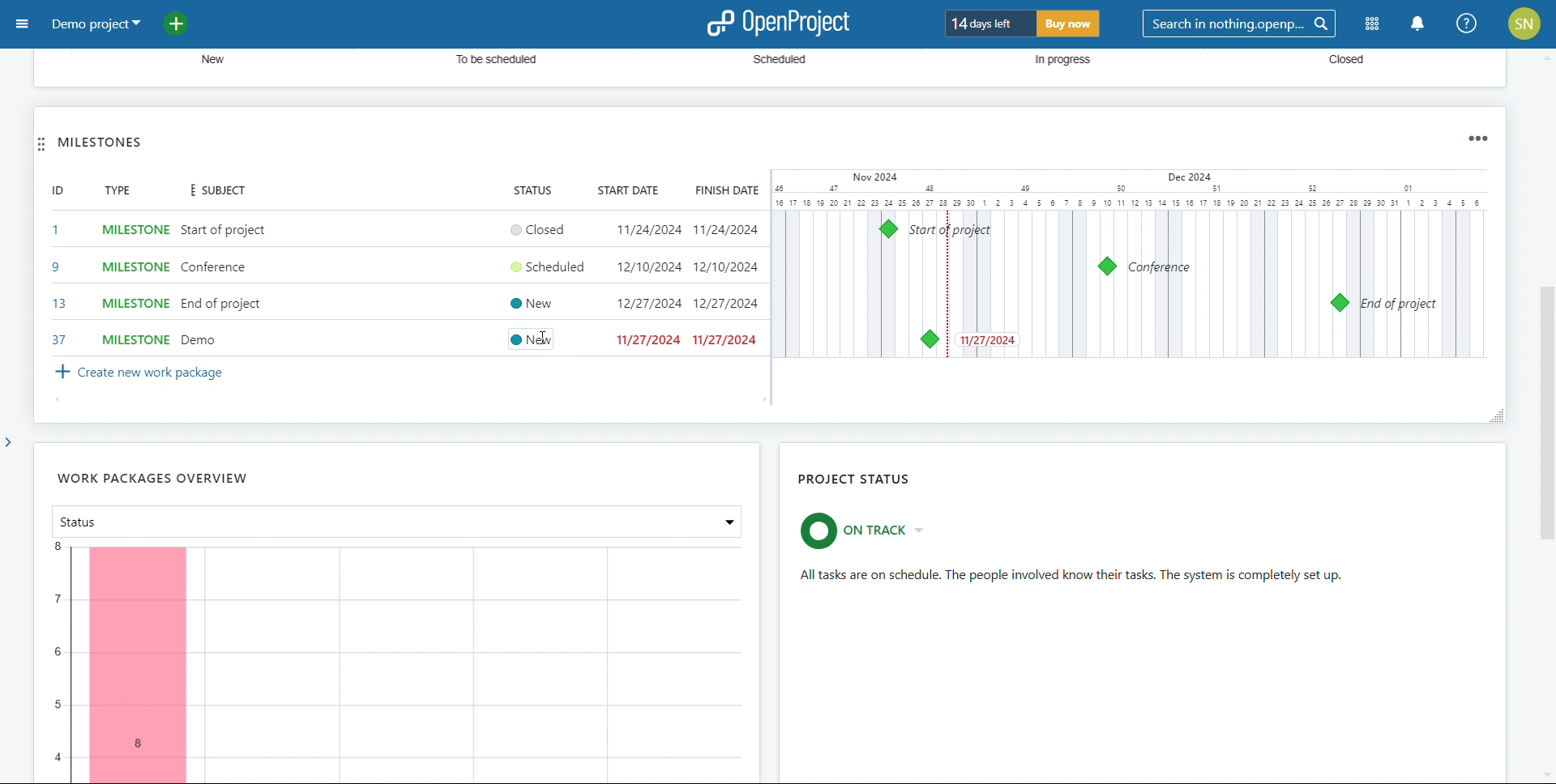 The width and height of the screenshot is (1556, 784). Describe the element at coordinates (1341, 301) in the screenshot. I see `milestone 13` at that location.